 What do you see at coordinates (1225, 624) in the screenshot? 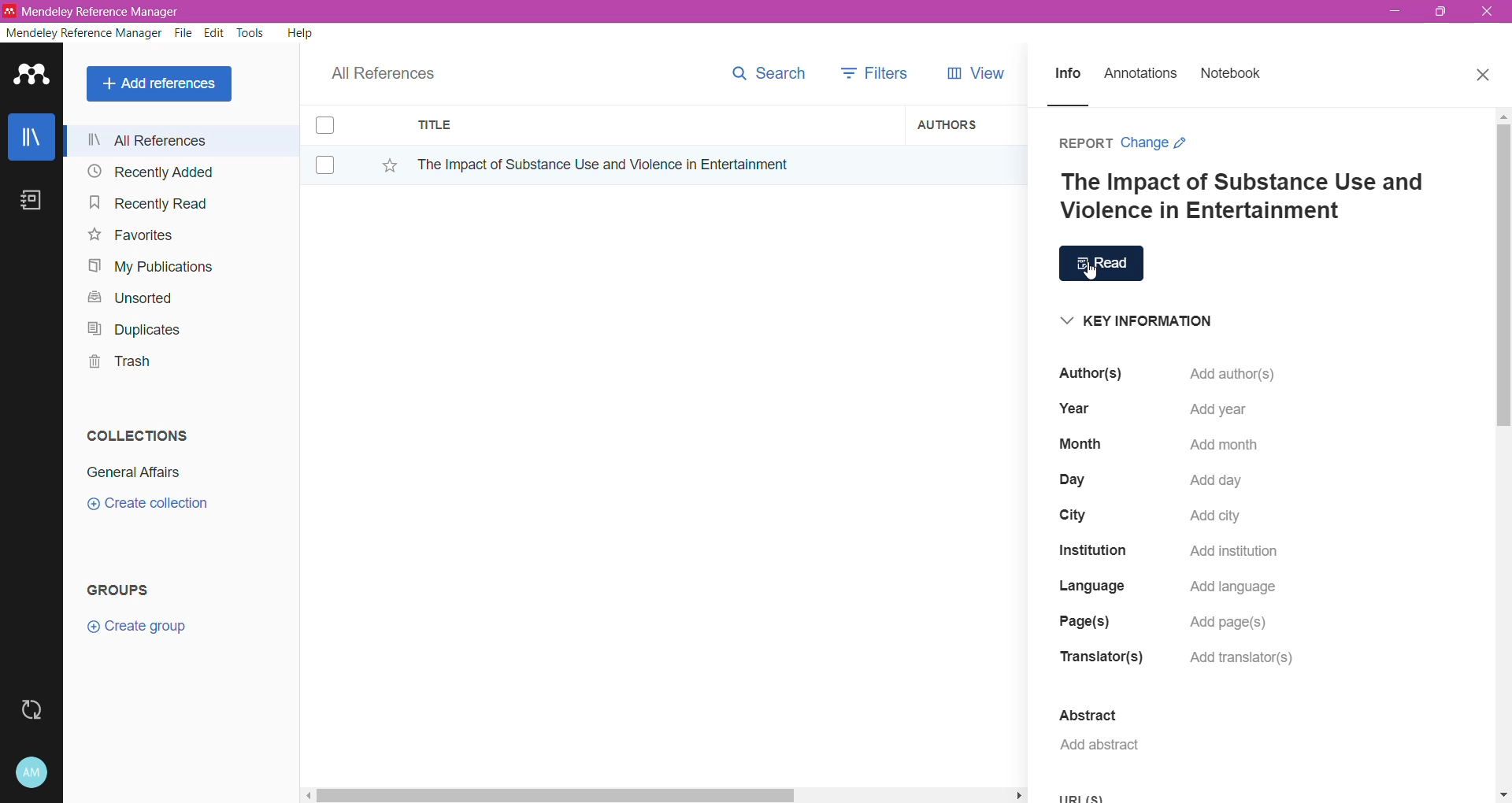
I see `Click to Add page(s)` at bounding box center [1225, 624].